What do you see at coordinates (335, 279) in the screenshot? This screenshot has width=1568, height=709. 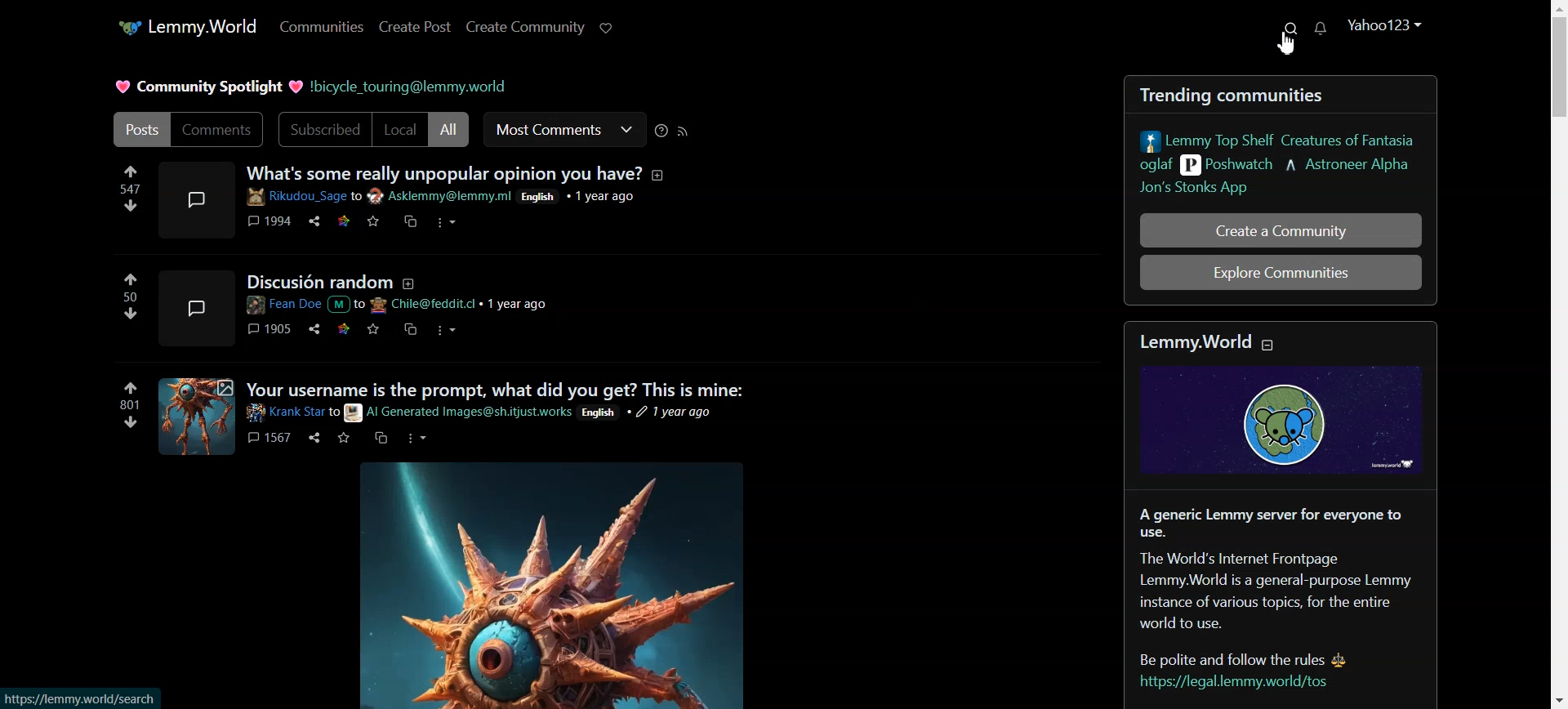 I see `Discusion random` at bounding box center [335, 279].